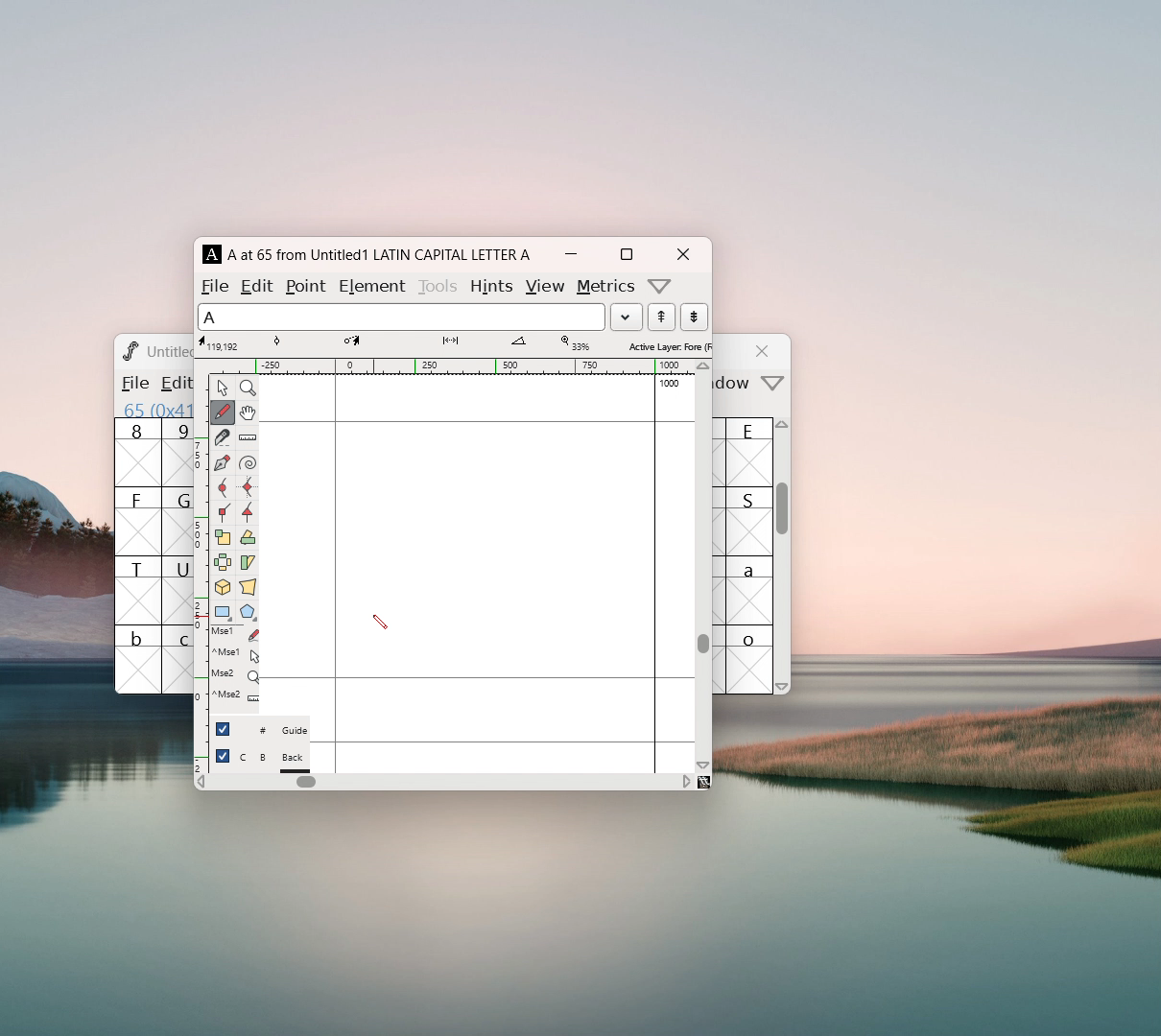  What do you see at coordinates (749, 521) in the screenshot?
I see `S` at bounding box center [749, 521].